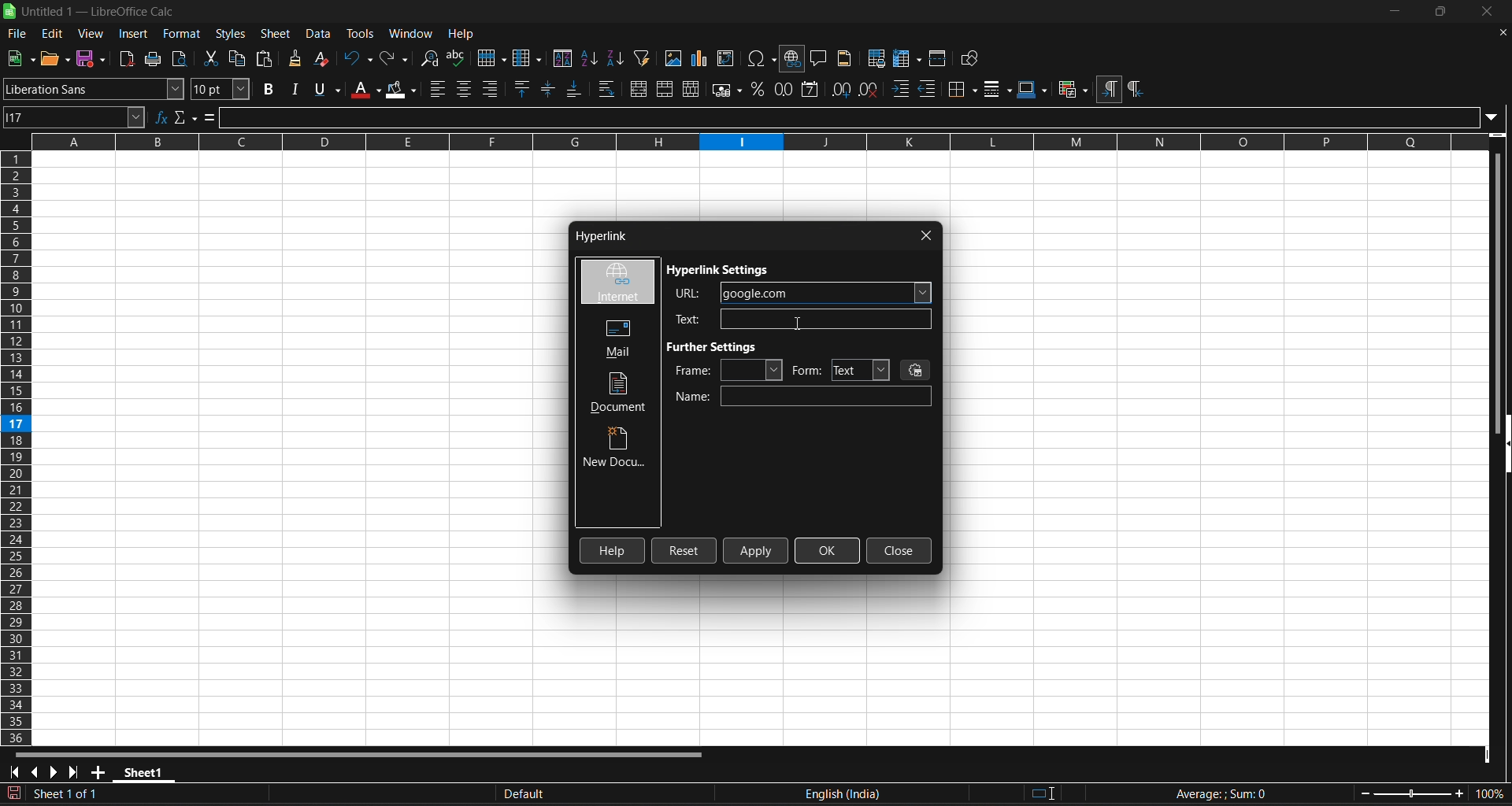 This screenshot has width=1512, height=806. What do you see at coordinates (324, 60) in the screenshot?
I see `clear direct formatting` at bounding box center [324, 60].